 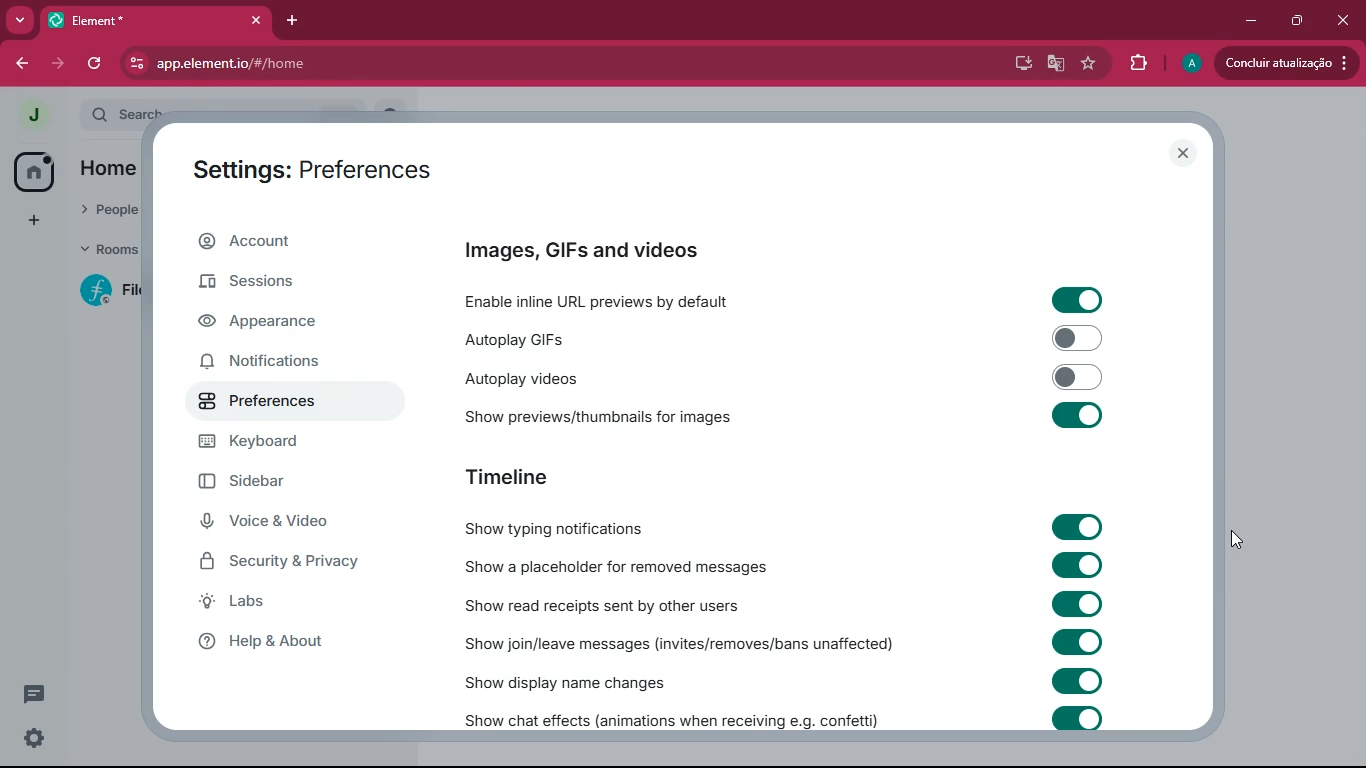 What do you see at coordinates (608, 415) in the screenshot?
I see `show previews/thumbnails for images` at bounding box center [608, 415].